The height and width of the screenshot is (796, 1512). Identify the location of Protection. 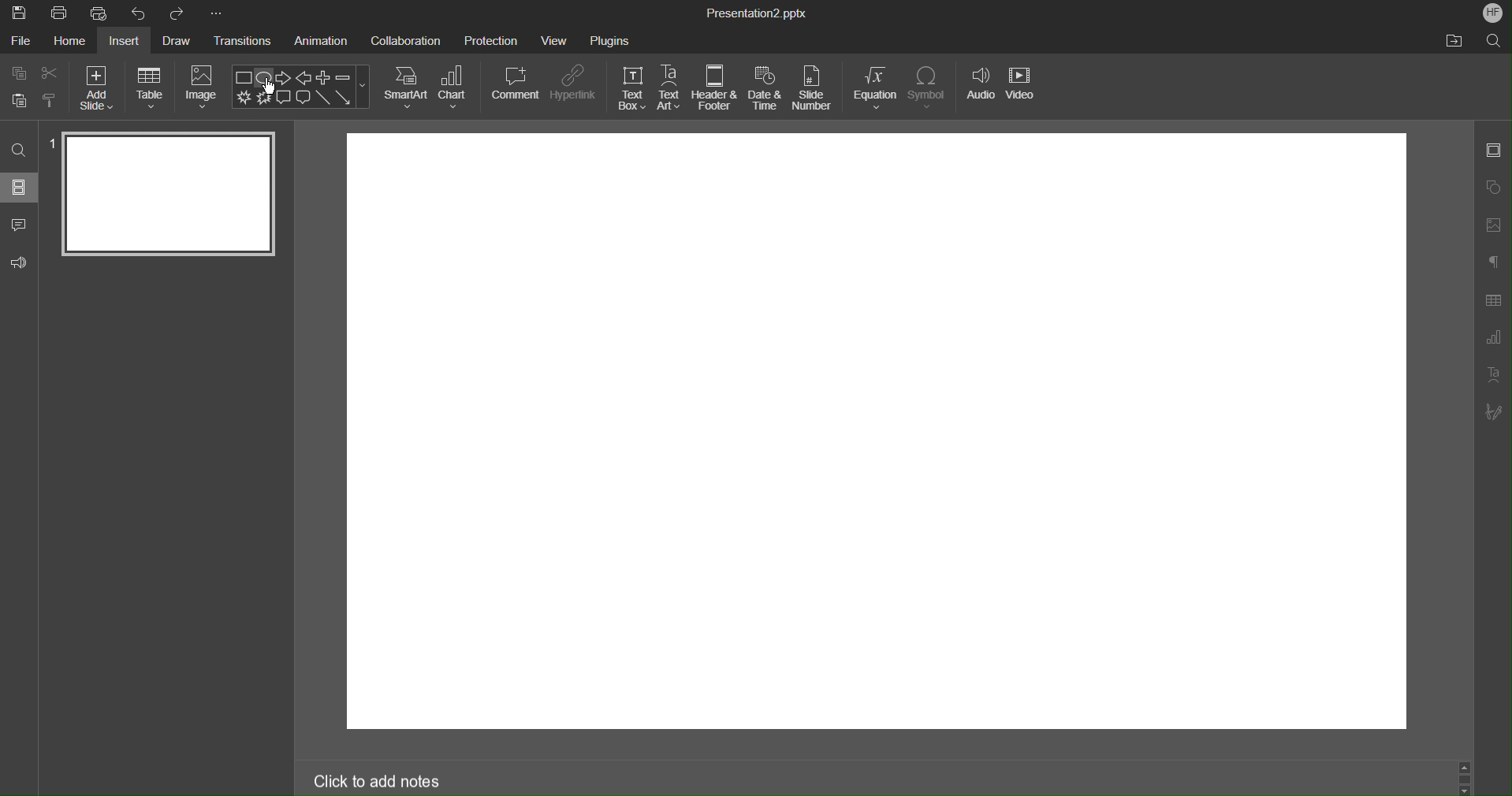
(491, 39).